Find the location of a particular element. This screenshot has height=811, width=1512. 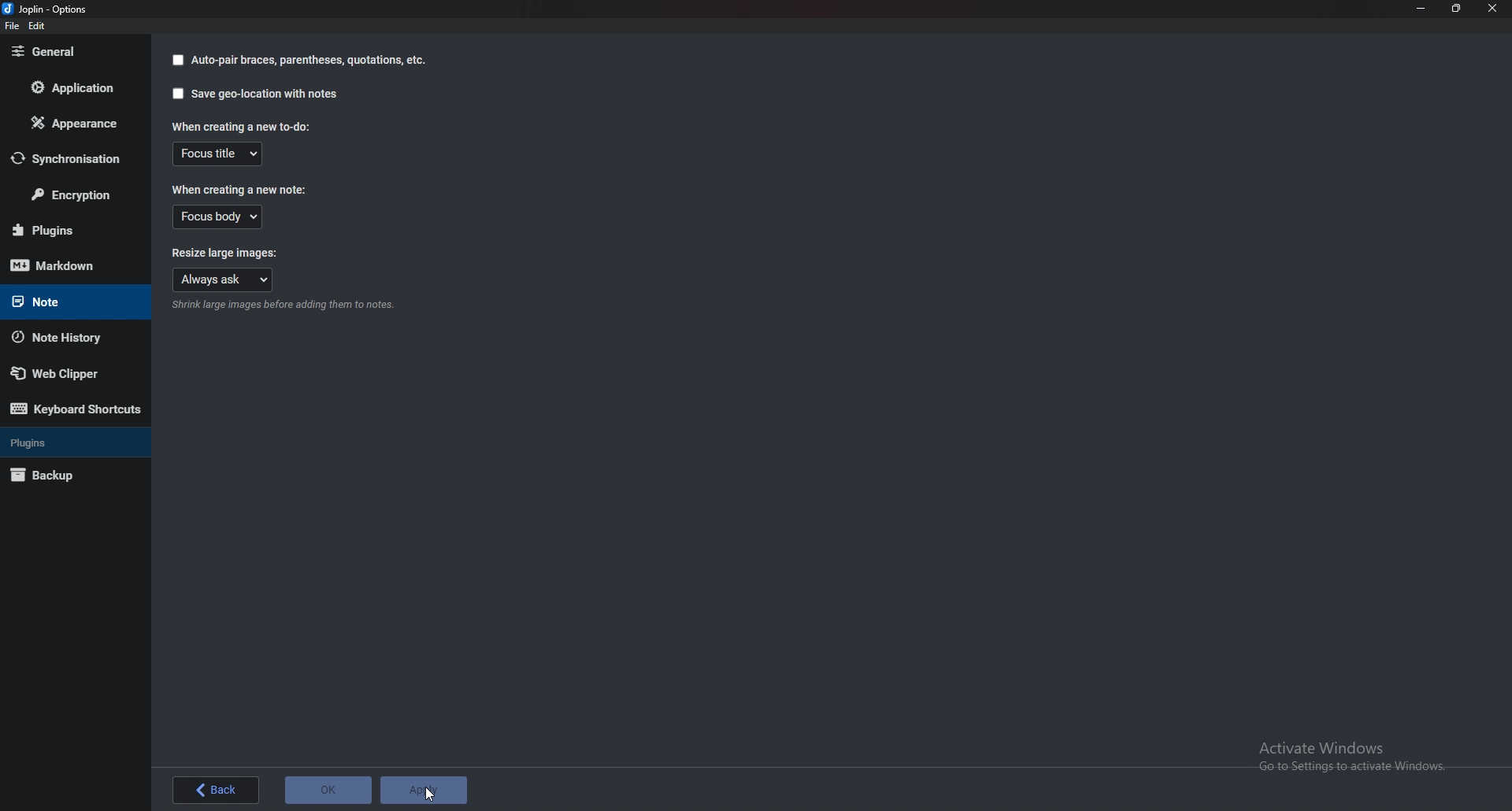

Web clipper is located at coordinates (68, 373).